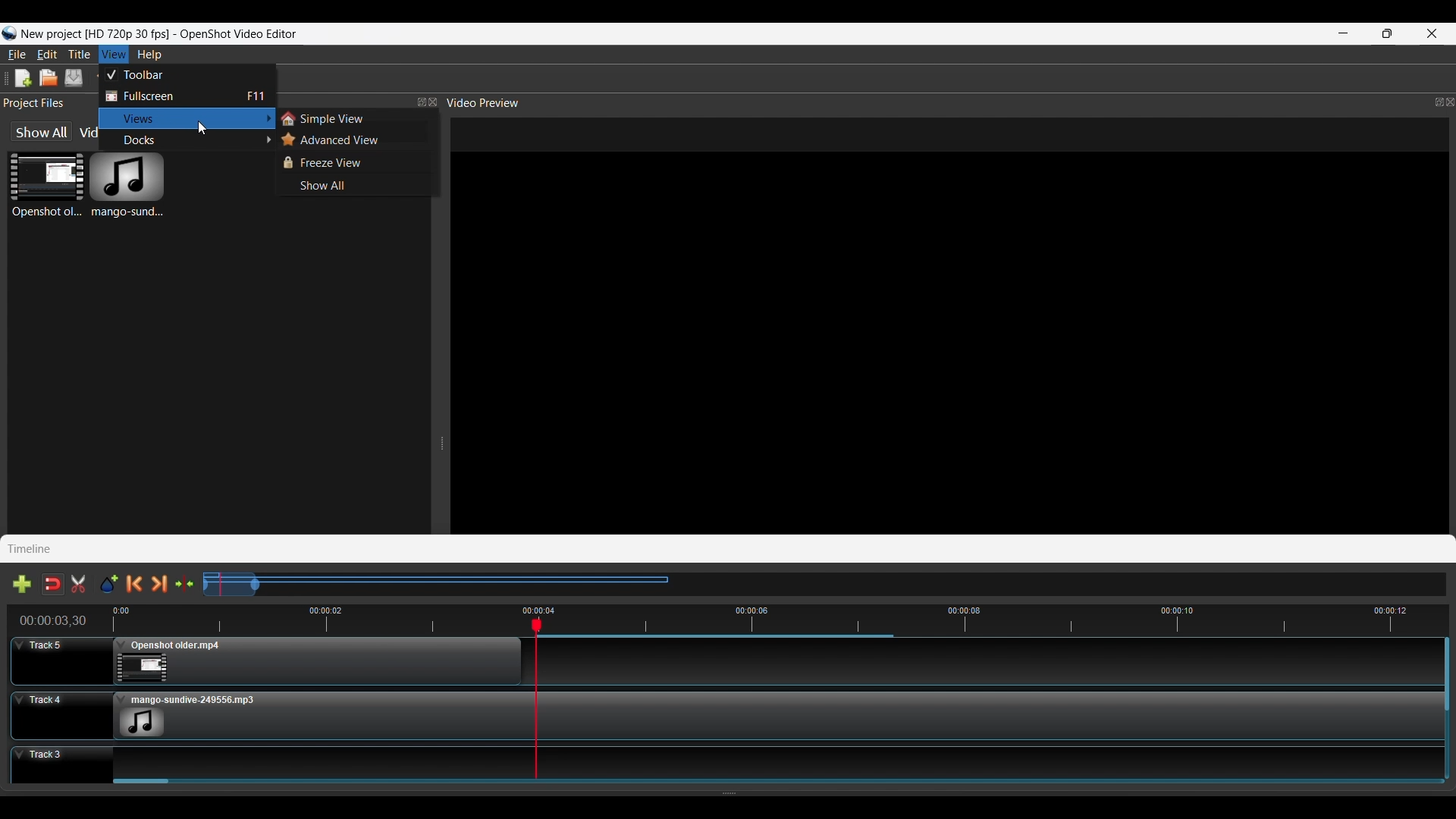 This screenshot has width=1456, height=819. I want to click on Simple View, so click(353, 118).